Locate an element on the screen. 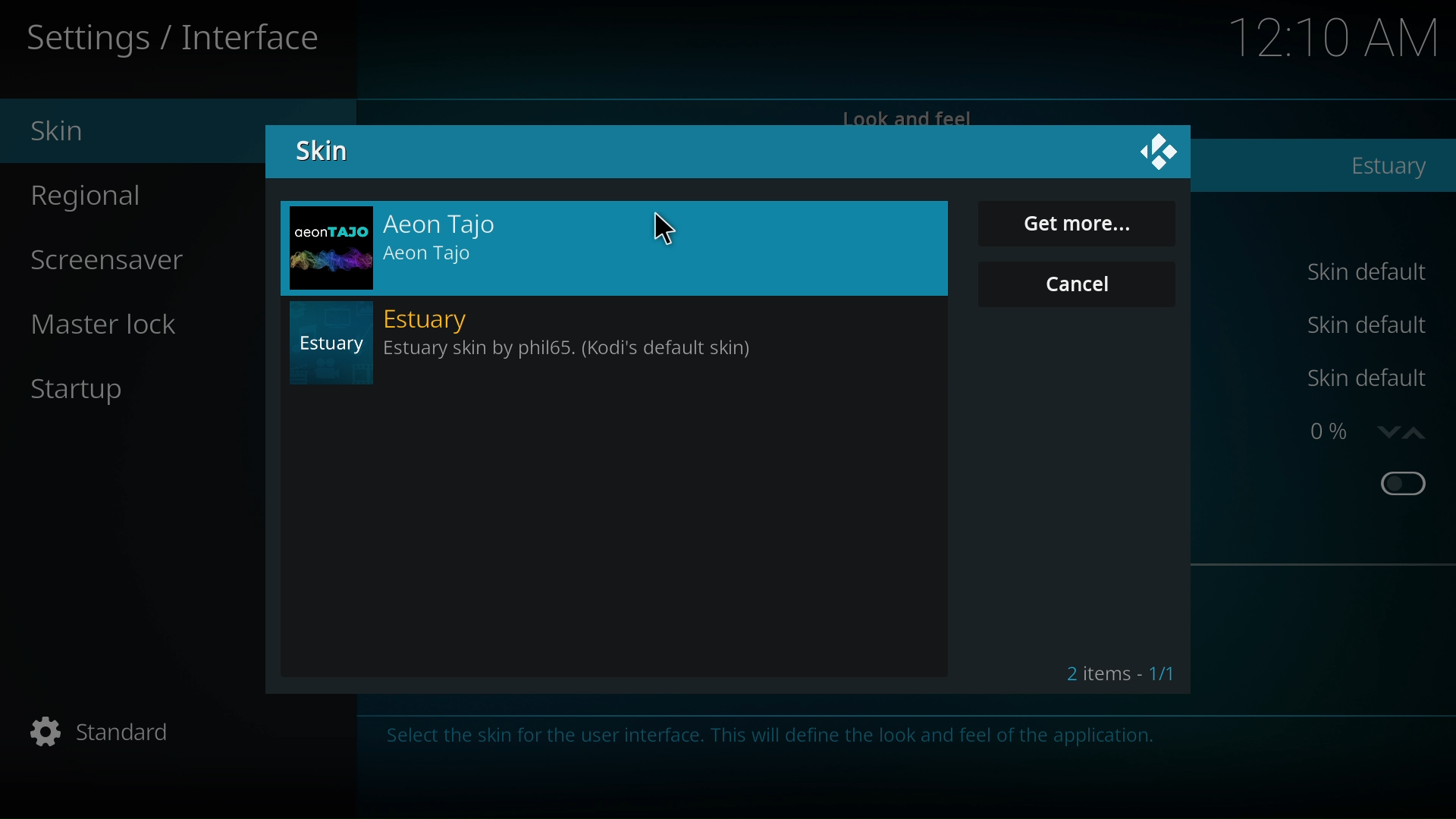 This screenshot has width=1456, height=819. skin is located at coordinates (64, 132).